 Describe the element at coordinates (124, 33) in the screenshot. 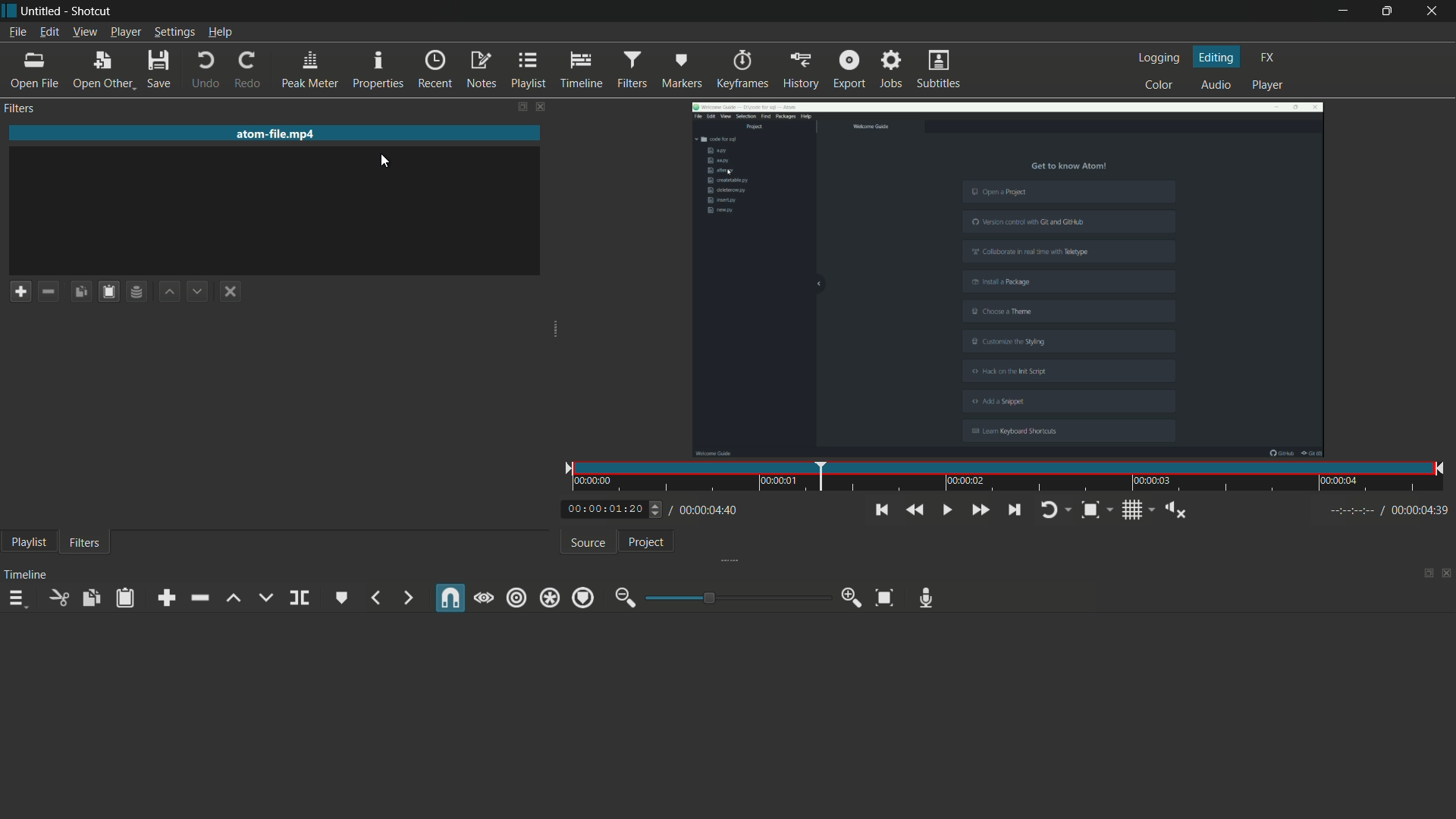

I see `player menu` at that location.